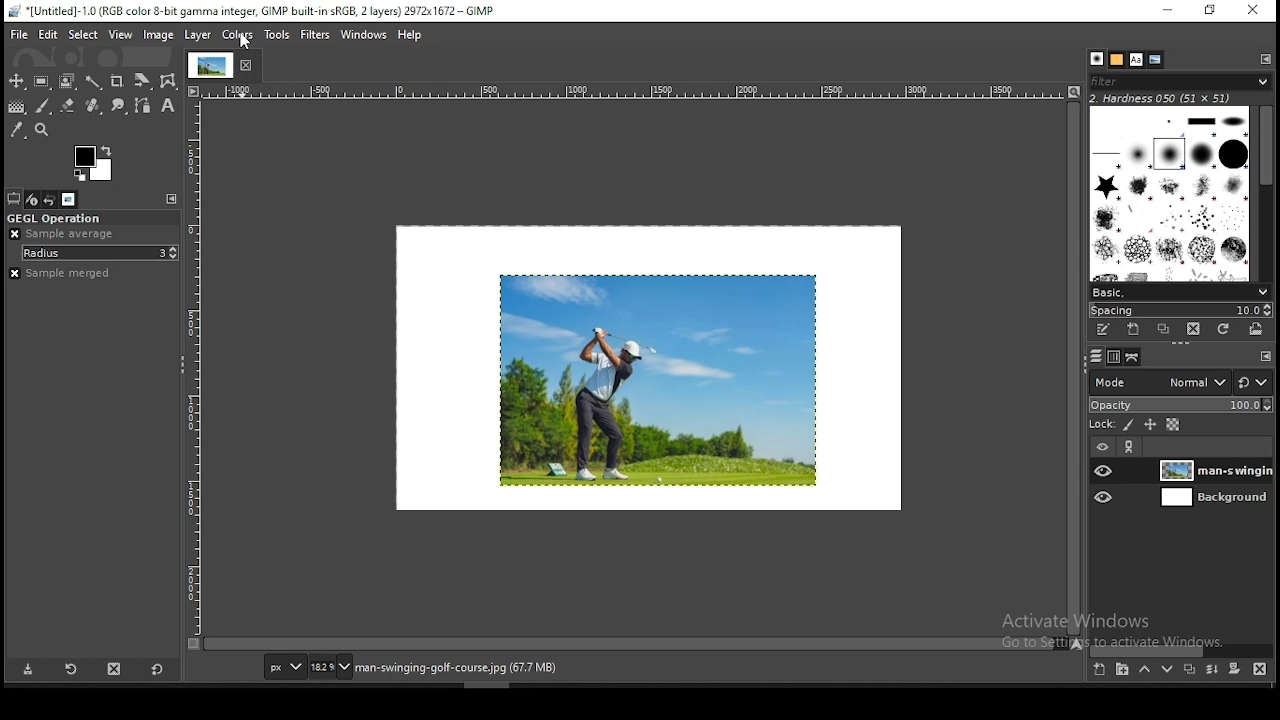  Describe the element at coordinates (167, 108) in the screenshot. I see `text tool` at that location.